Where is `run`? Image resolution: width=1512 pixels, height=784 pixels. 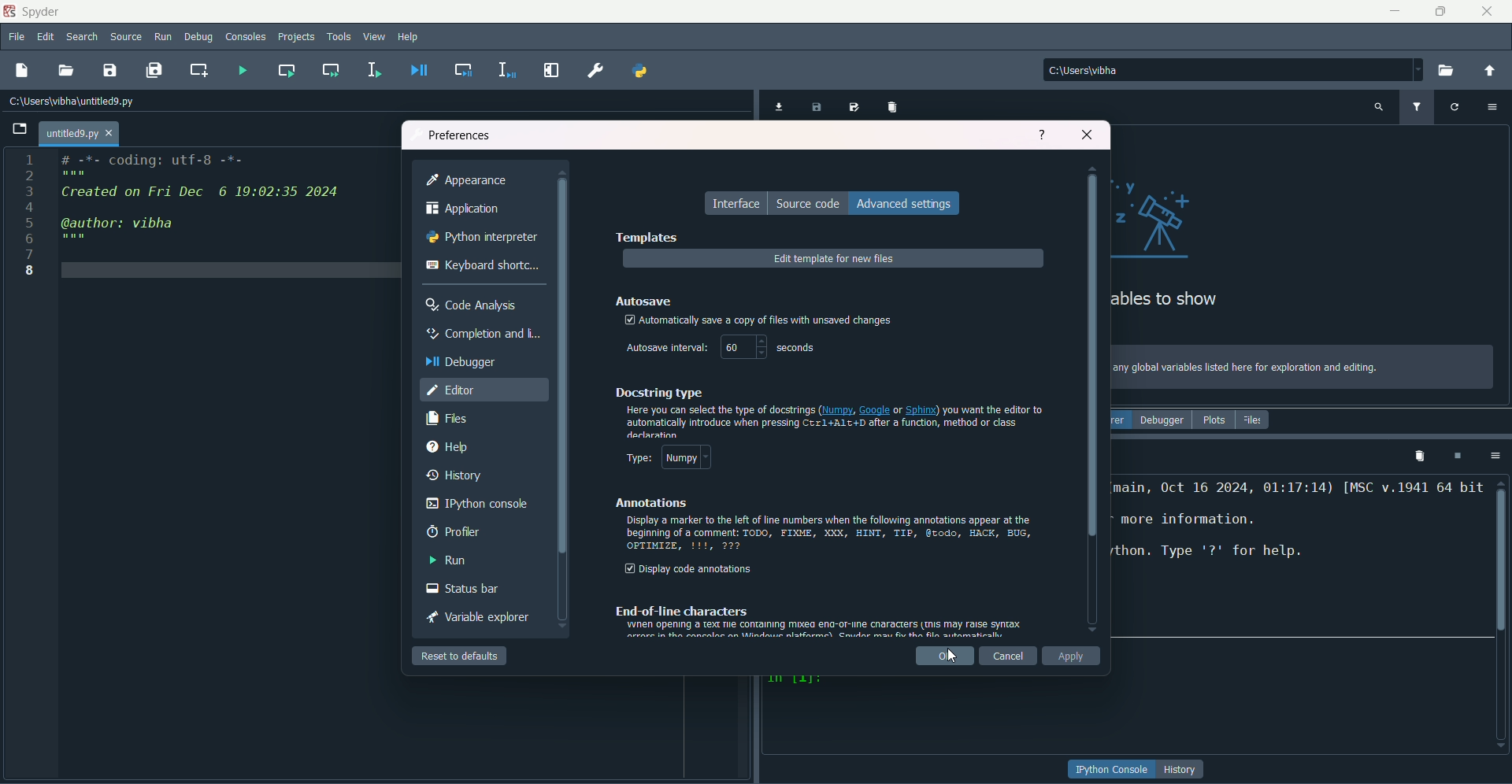
run is located at coordinates (164, 37).